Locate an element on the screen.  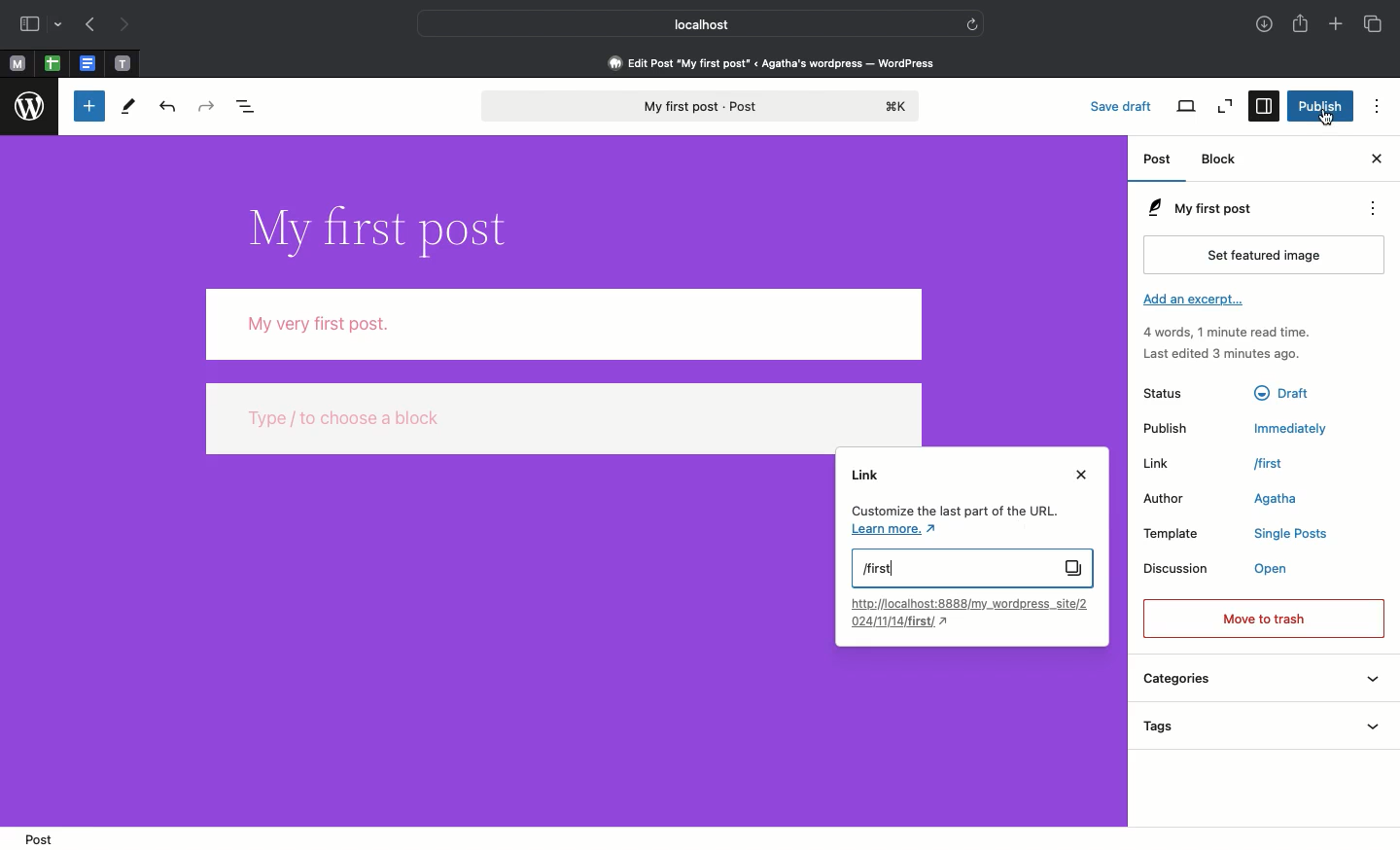
Undo is located at coordinates (167, 105).